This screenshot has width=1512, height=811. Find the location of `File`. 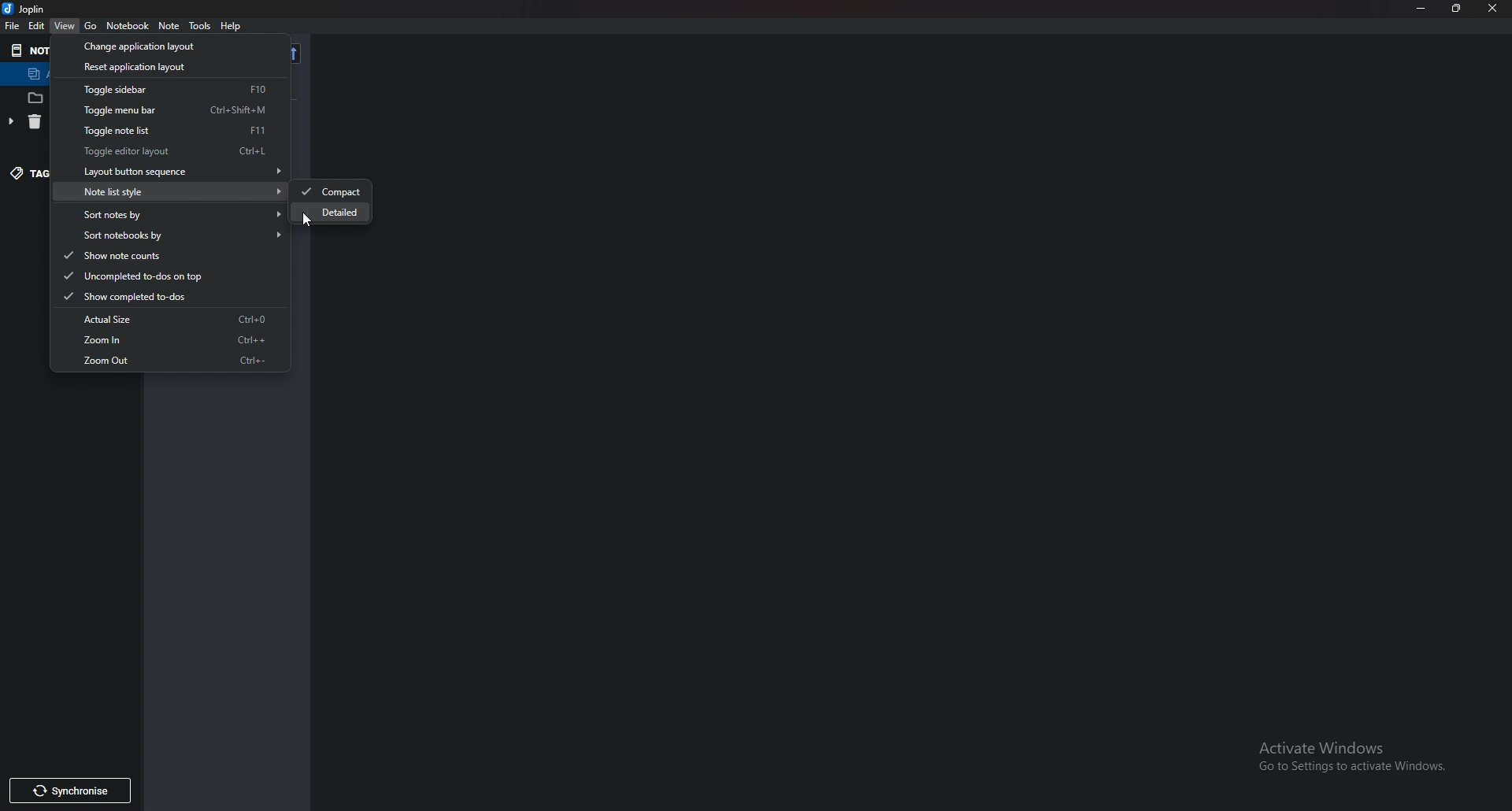

File is located at coordinates (12, 24).